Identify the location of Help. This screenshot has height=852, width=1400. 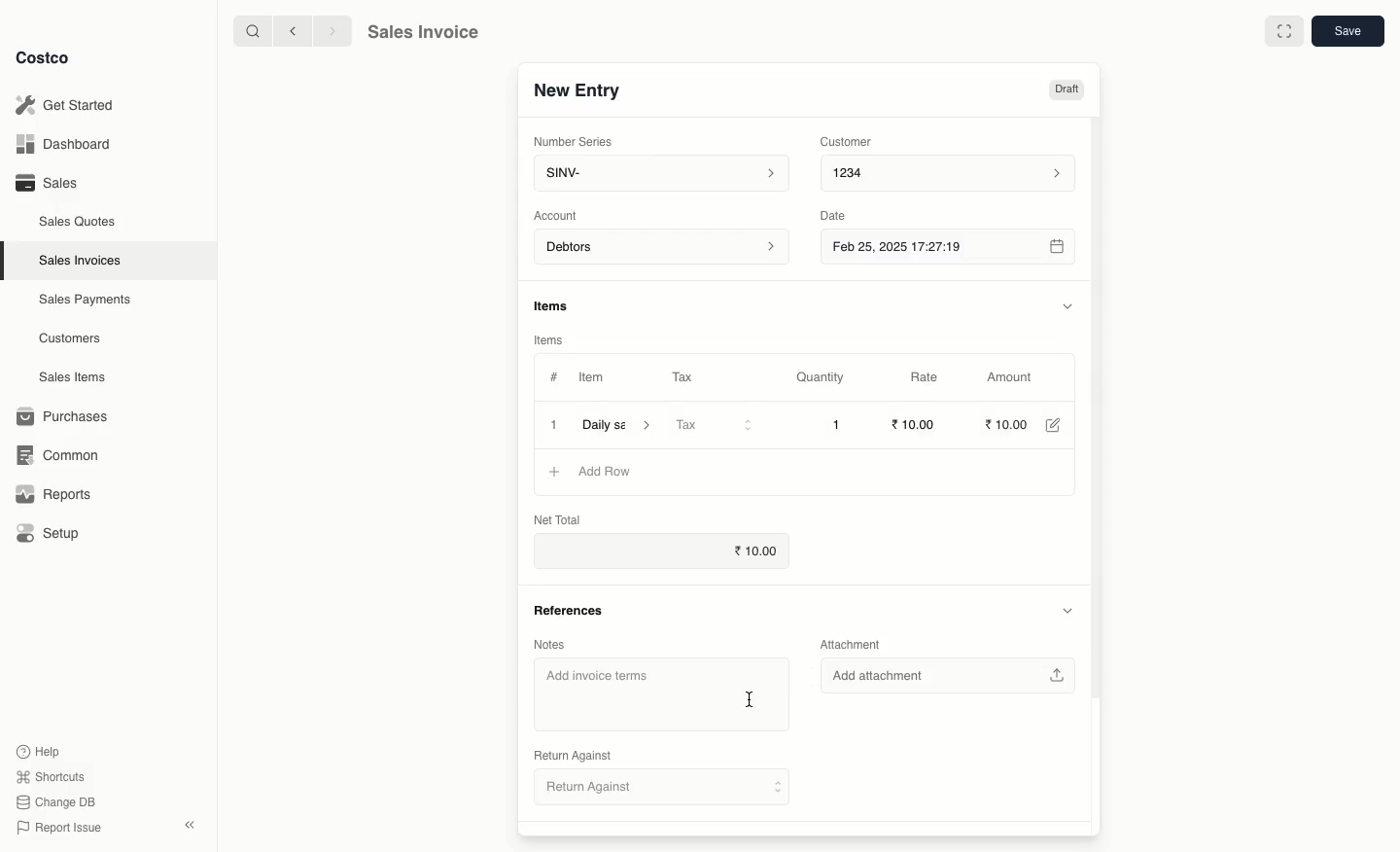
(42, 751).